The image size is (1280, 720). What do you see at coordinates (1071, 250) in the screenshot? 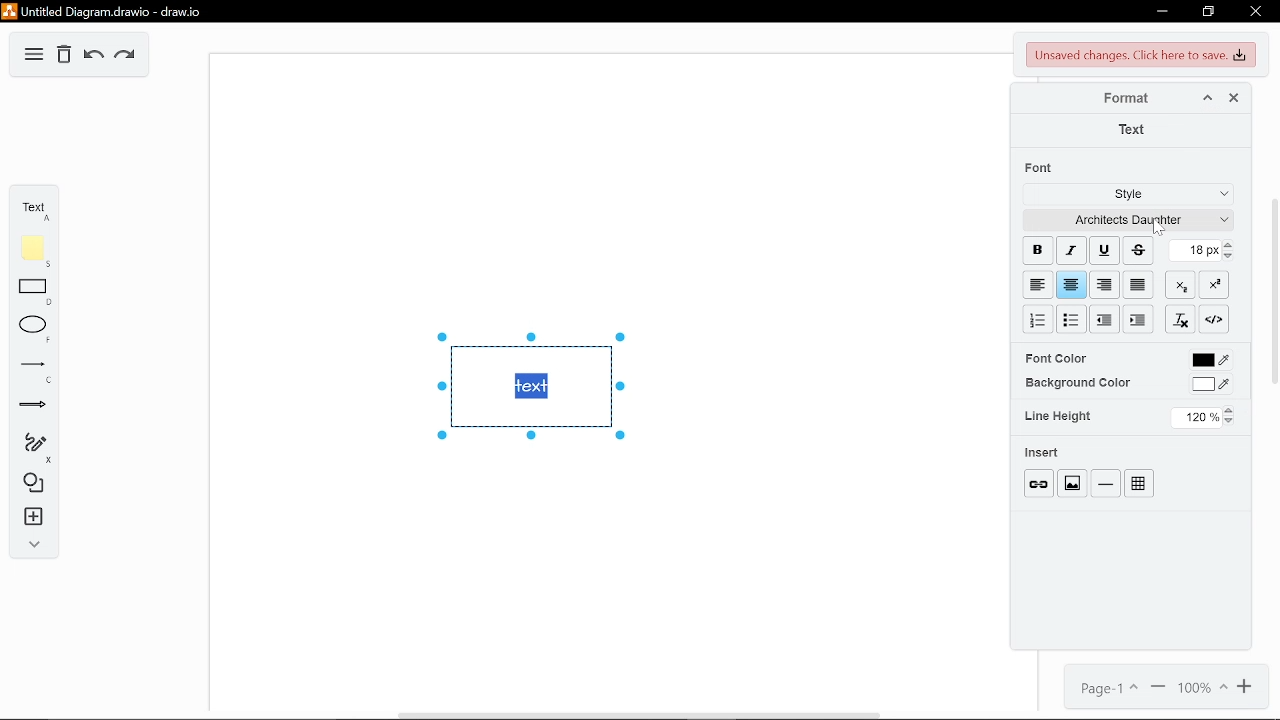
I see `italic` at bounding box center [1071, 250].